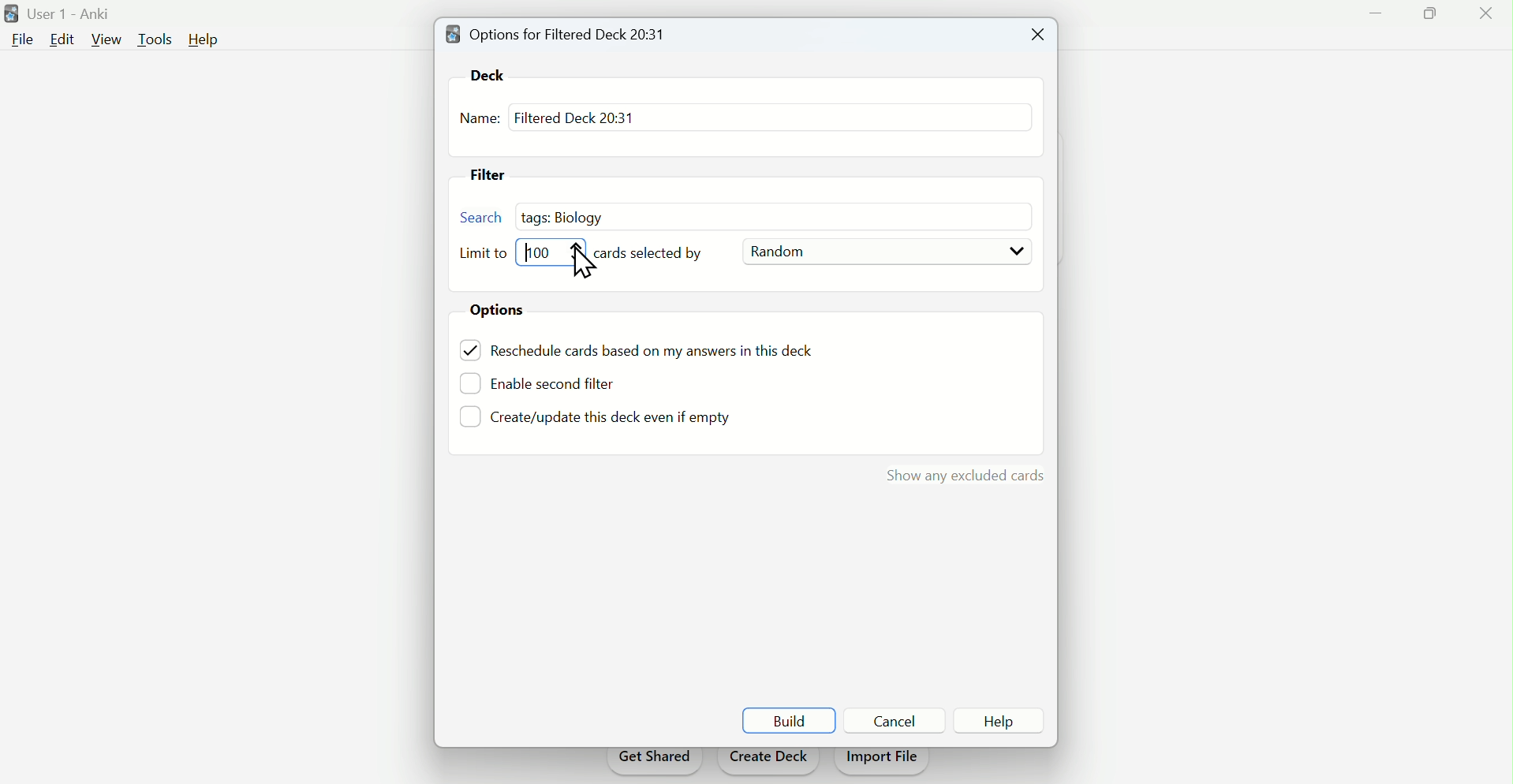  What do you see at coordinates (663, 353) in the screenshot?
I see `reschedule cards based on my answers in this tech` at bounding box center [663, 353].